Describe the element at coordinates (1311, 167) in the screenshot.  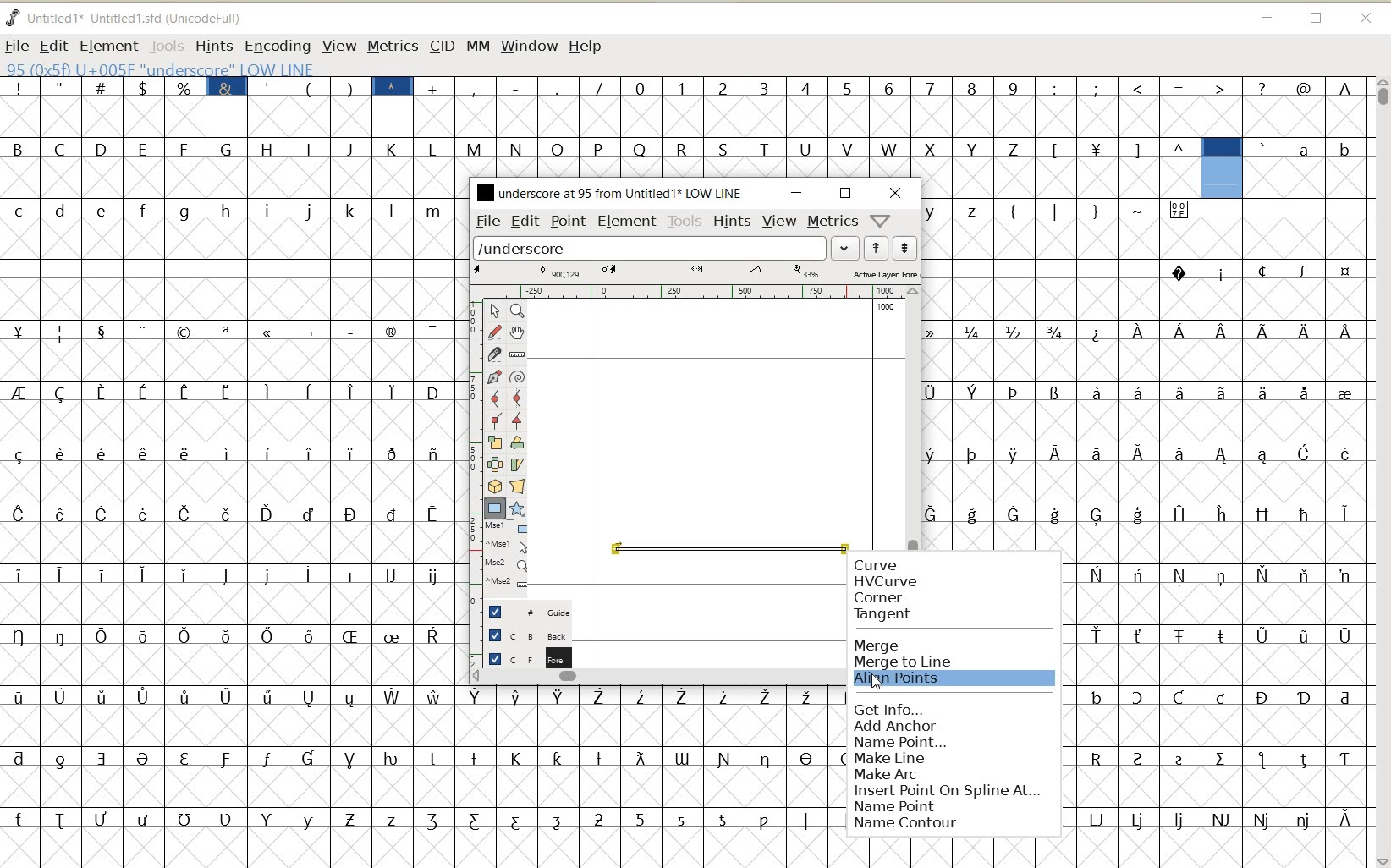
I see `GLYPHY CHARACTERS` at that location.